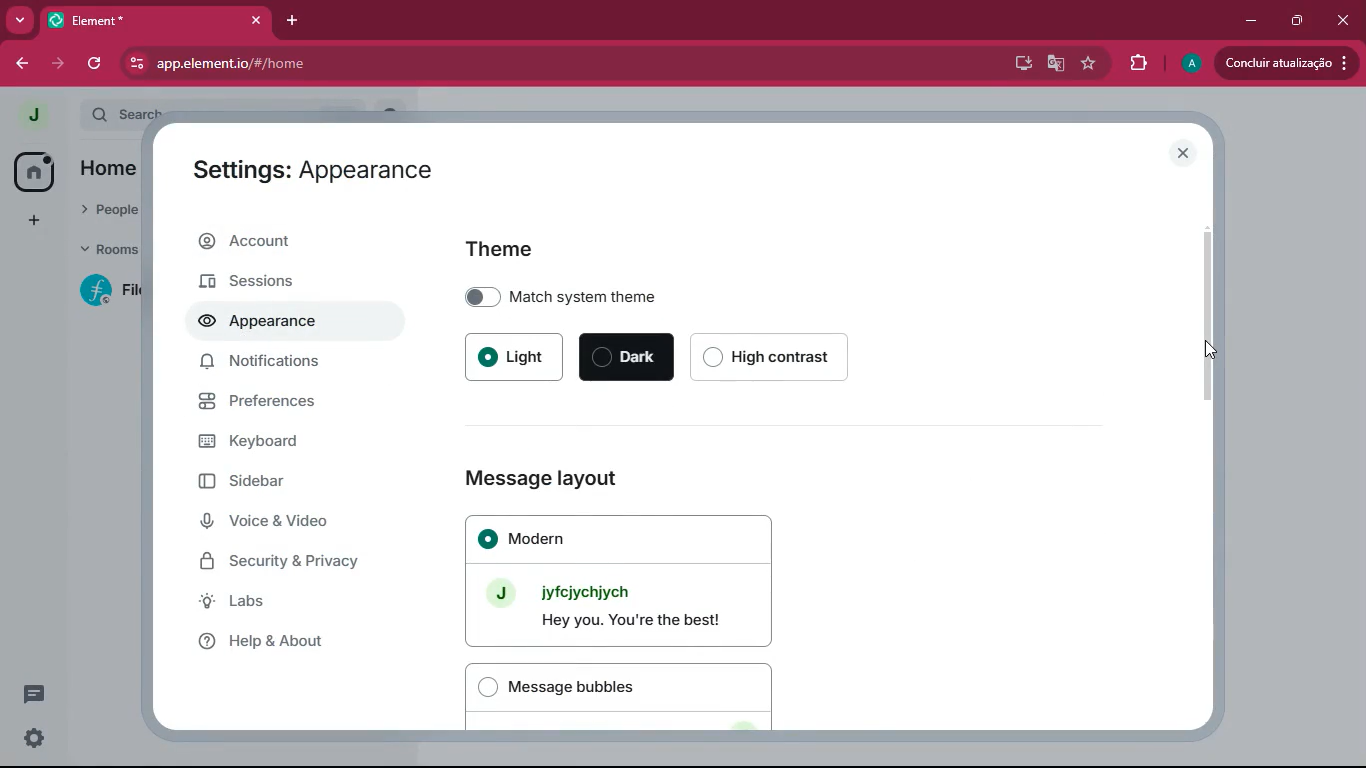 This screenshot has height=768, width=1366. What do you see at coordinates (38, 218) in the screenshot?
I see `add` at bounding box center [38, 218].